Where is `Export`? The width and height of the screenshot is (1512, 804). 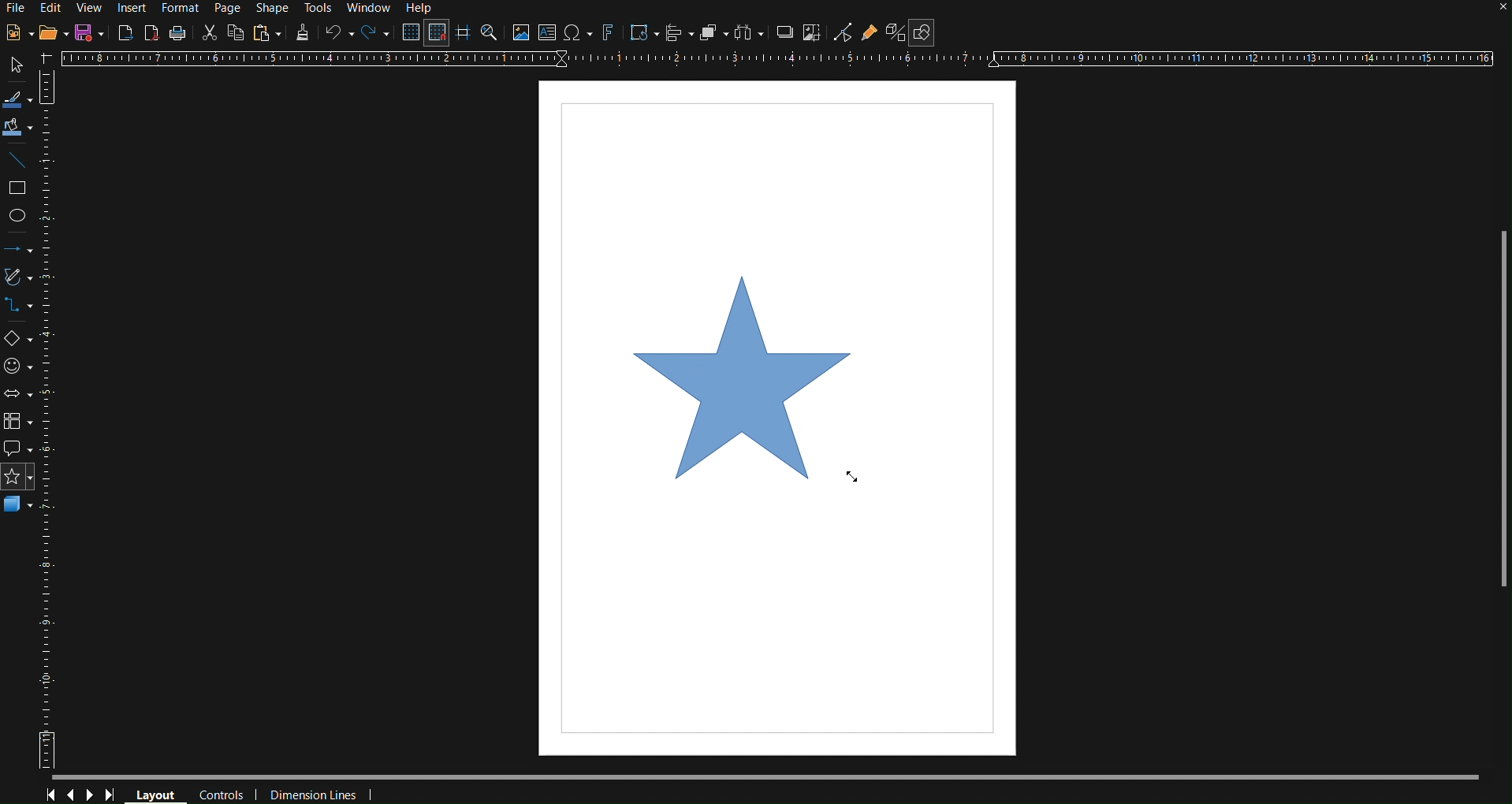 Export is located at coordinates (125, 32).